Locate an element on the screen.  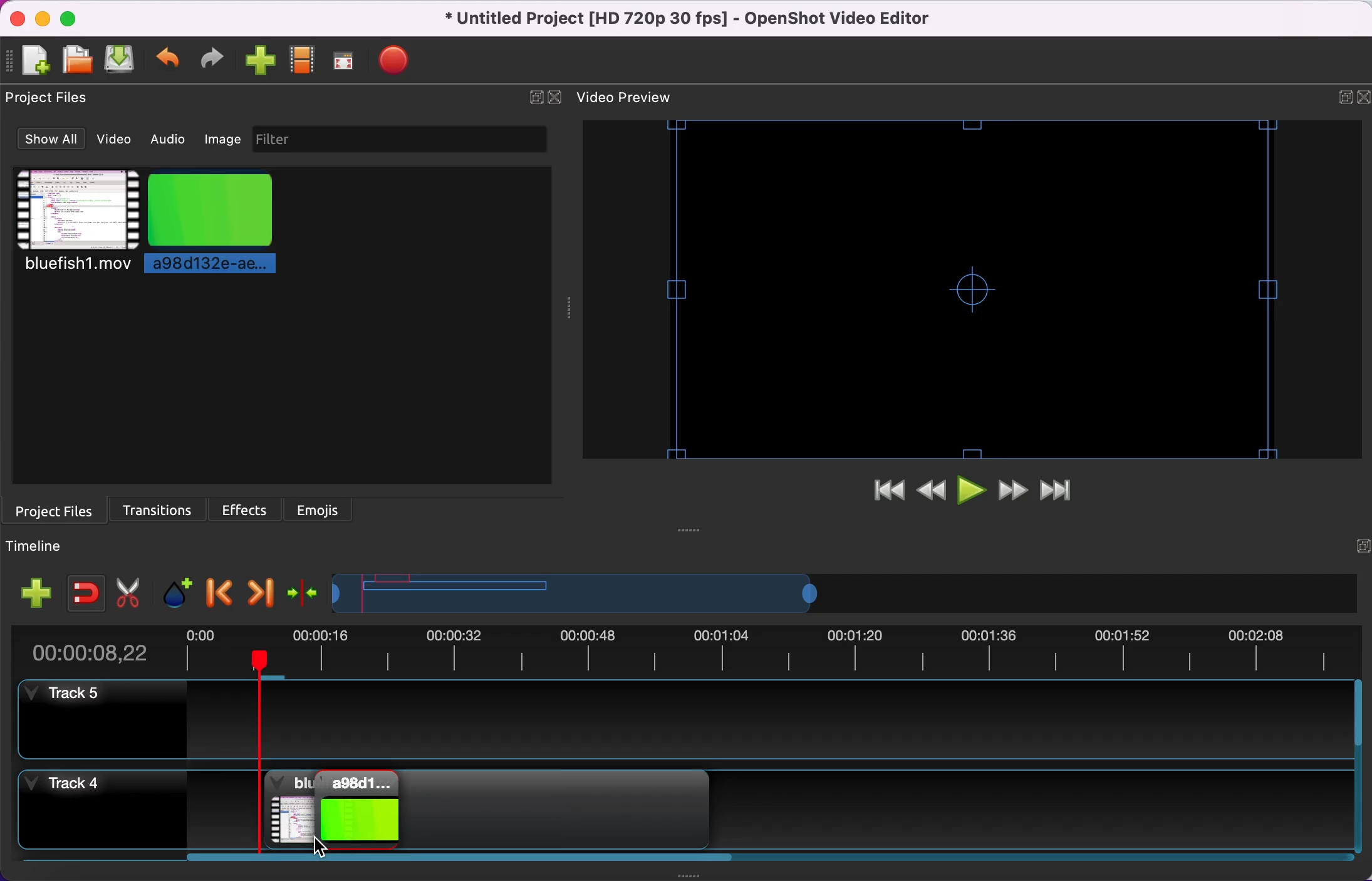
video preview is located at coordinates (979, 285).